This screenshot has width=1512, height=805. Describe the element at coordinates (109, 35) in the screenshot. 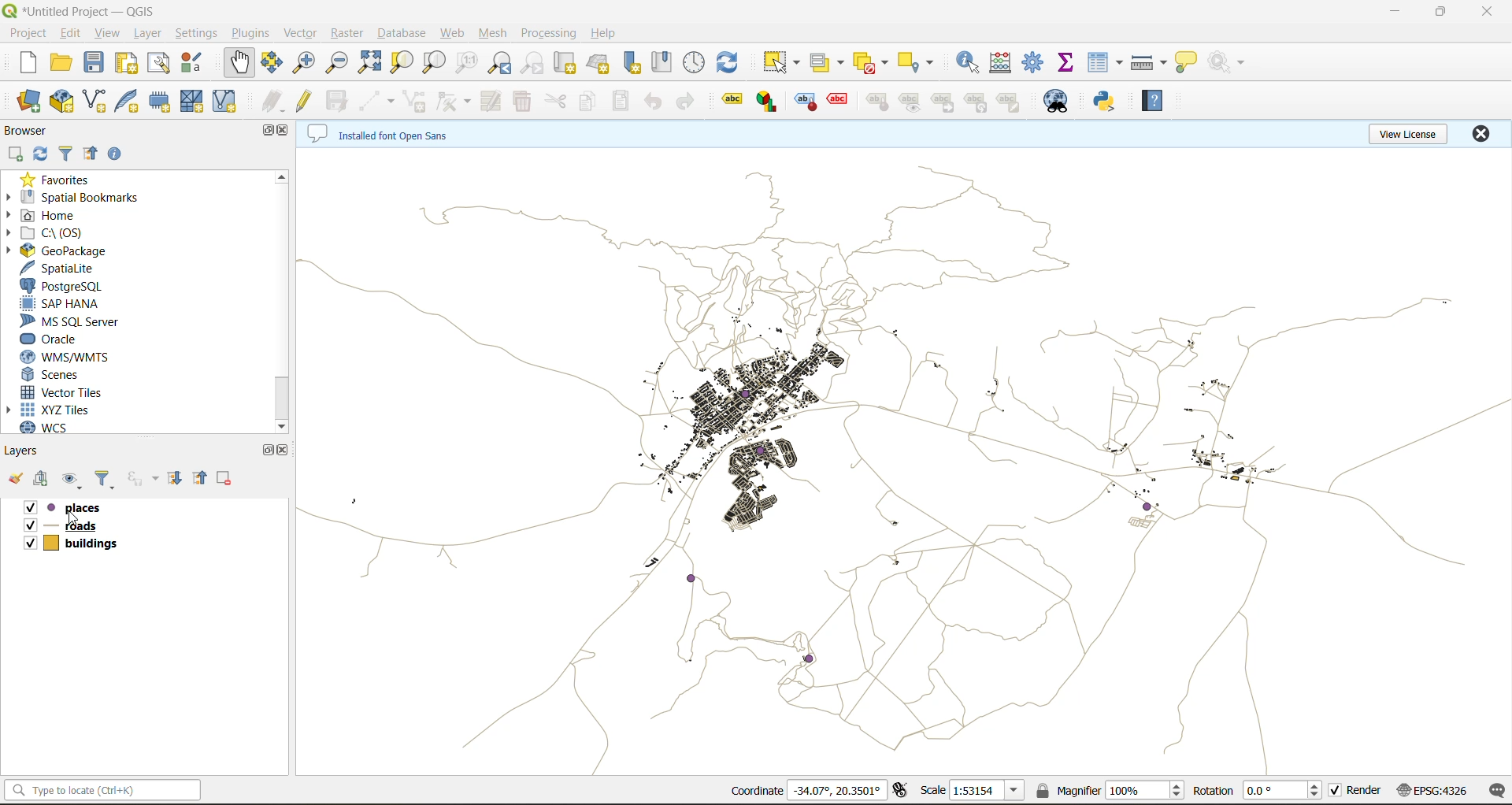

I see `view` at that location.